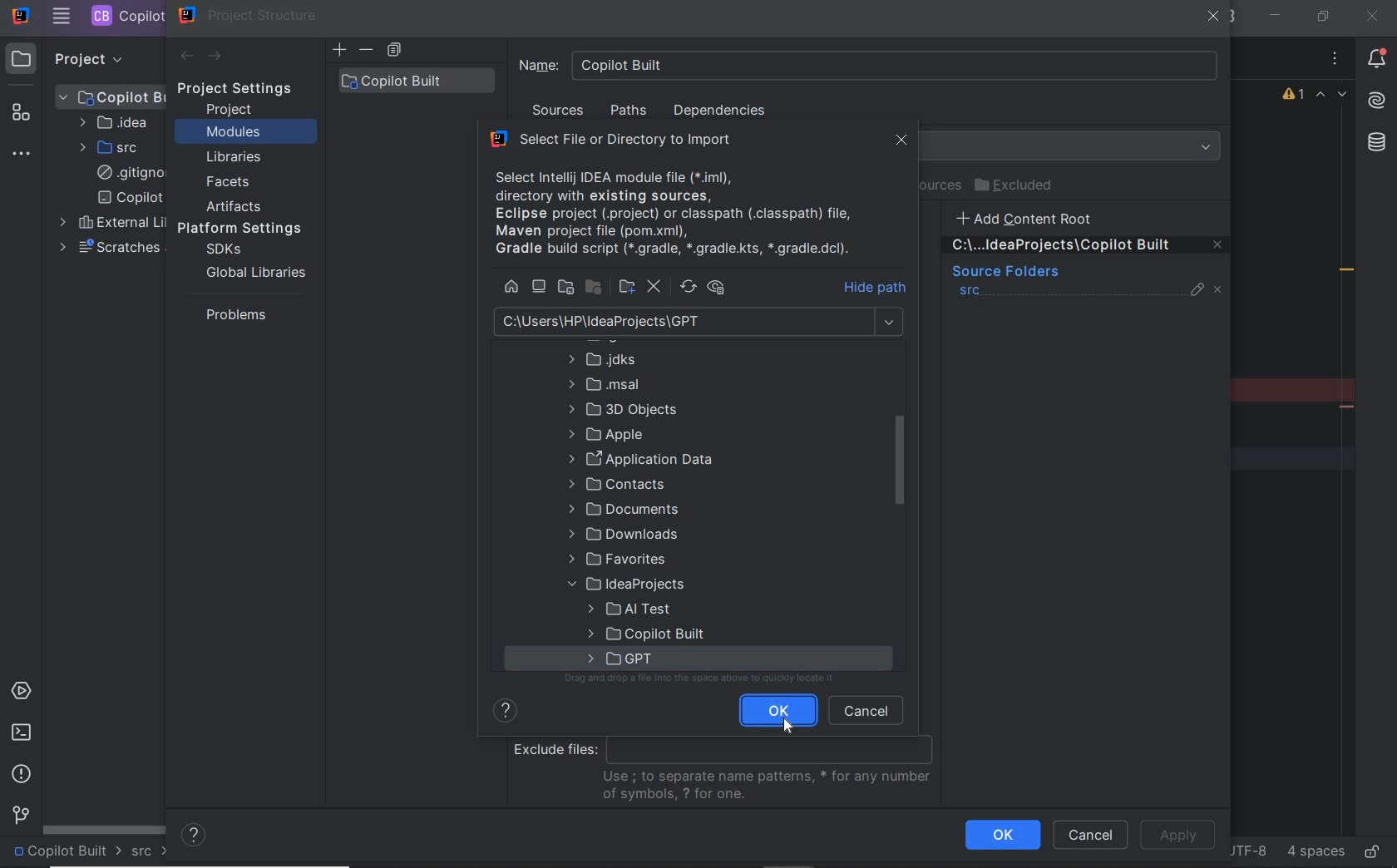 The image size is (1397, 868). Describe the element at coordinates (716, 288) in the screenshot. I see `show hidden files and directories` at that location.